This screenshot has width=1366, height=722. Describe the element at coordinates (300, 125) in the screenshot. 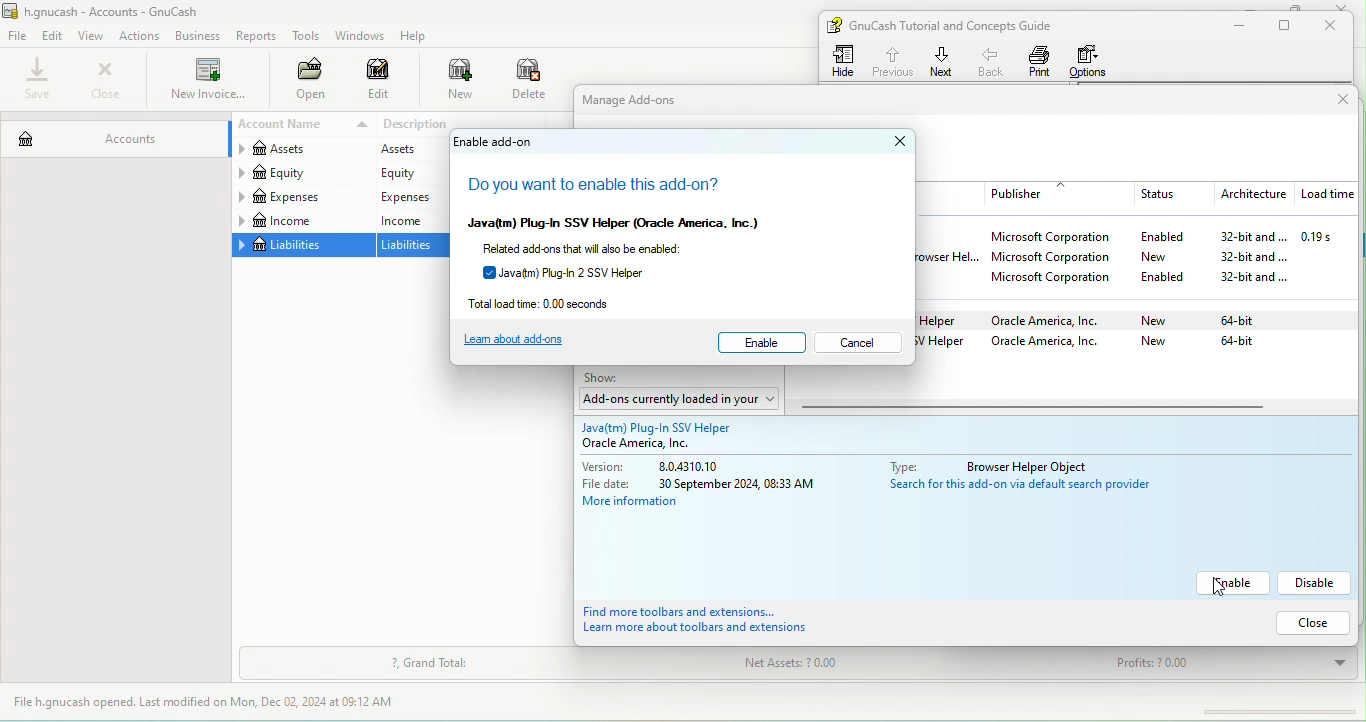

I see `account name` at that location.